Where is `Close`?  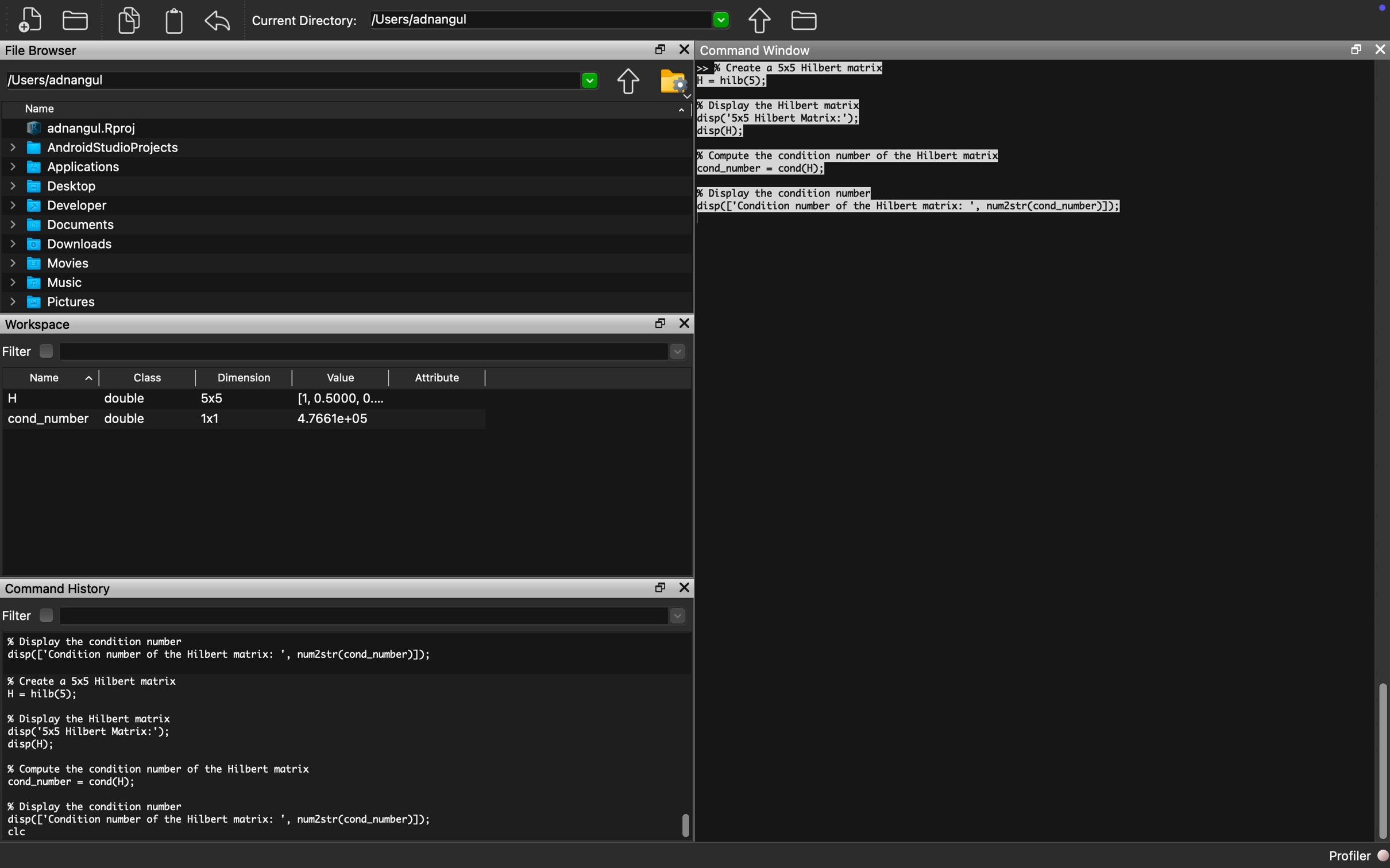 Close is located at coordinates (685, 50).